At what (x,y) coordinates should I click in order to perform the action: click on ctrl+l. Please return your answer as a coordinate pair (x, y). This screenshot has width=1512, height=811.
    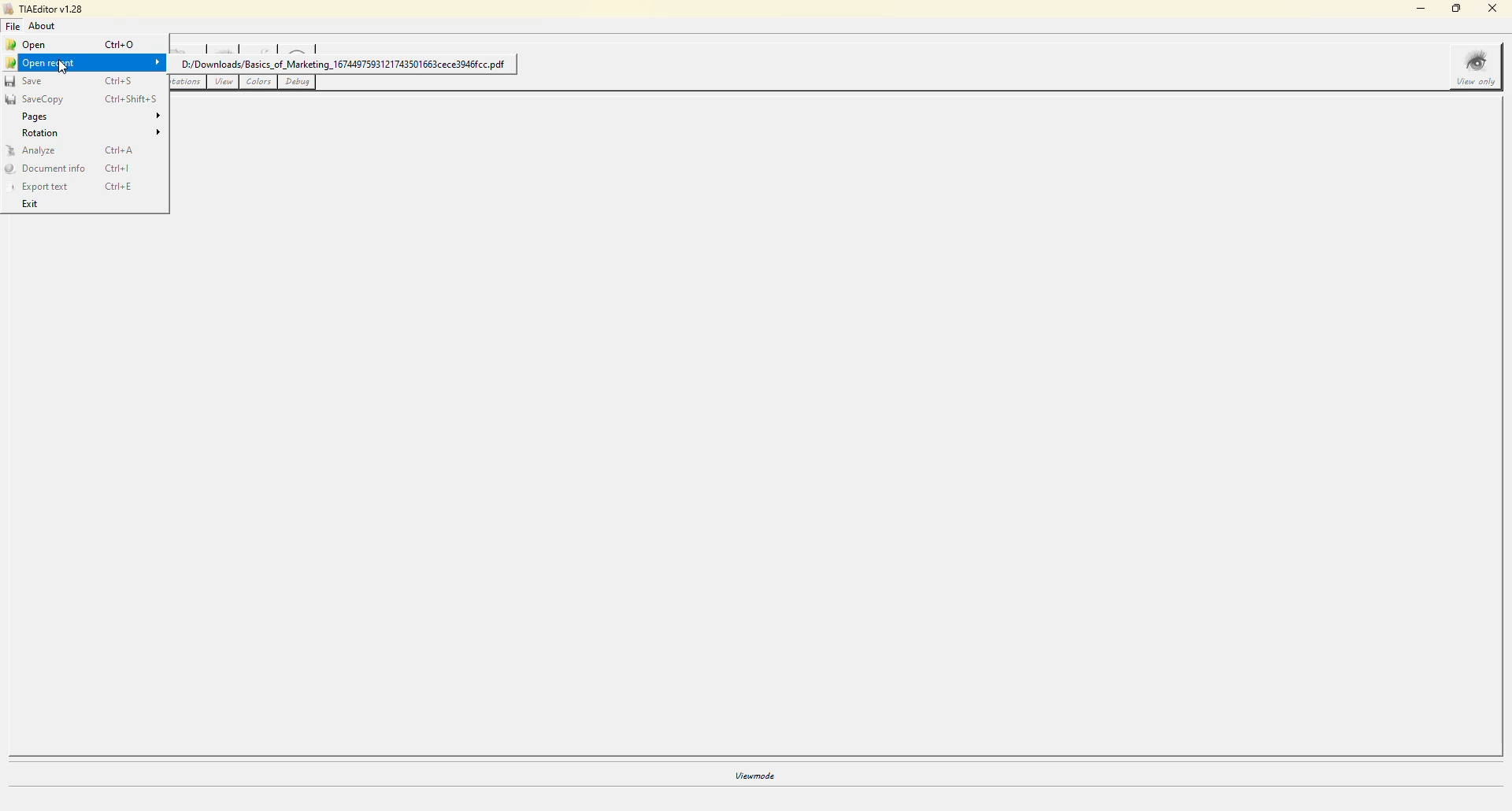
    Looking at the image, I should click on (119, 167).